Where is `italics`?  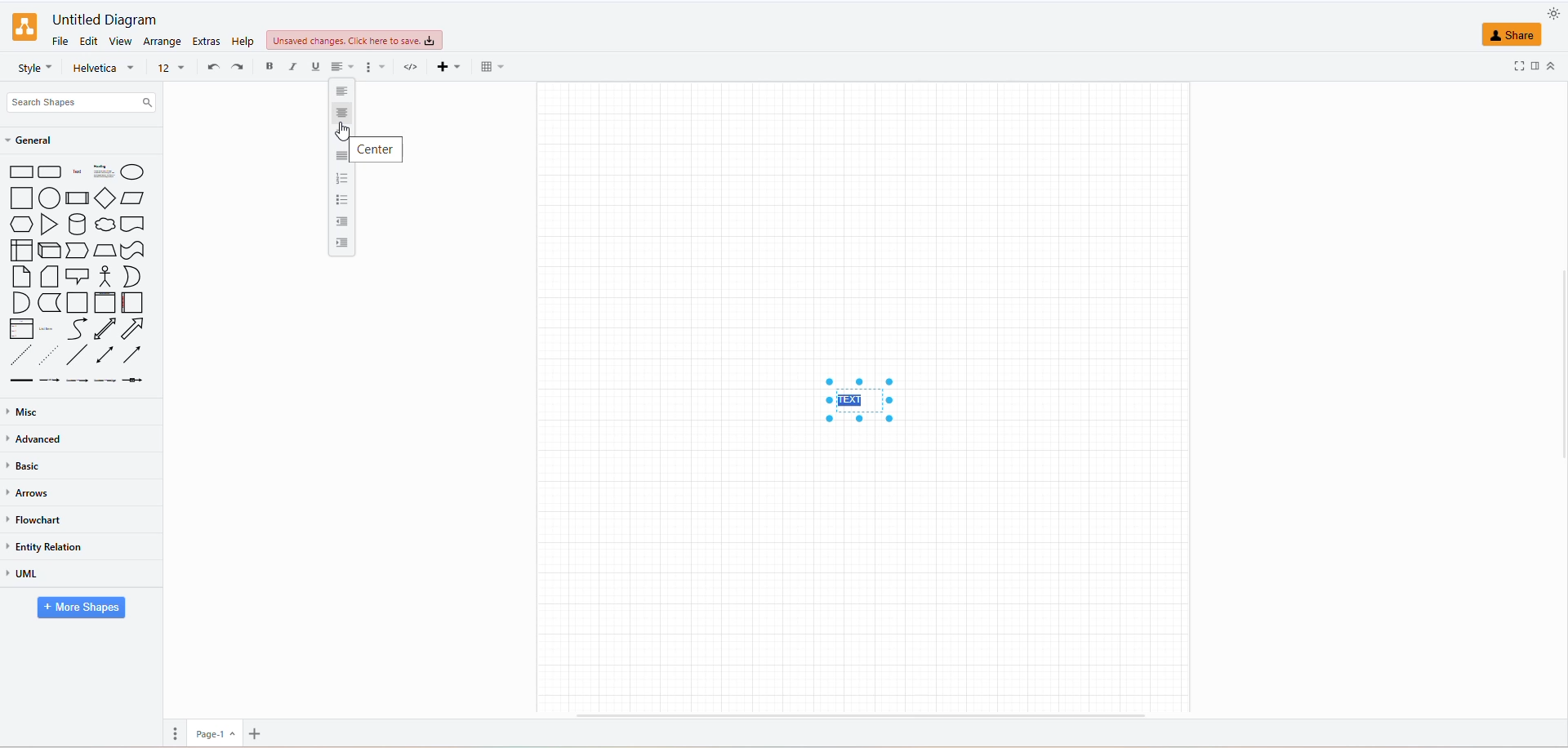
italics is located at coordinates (293, 66).